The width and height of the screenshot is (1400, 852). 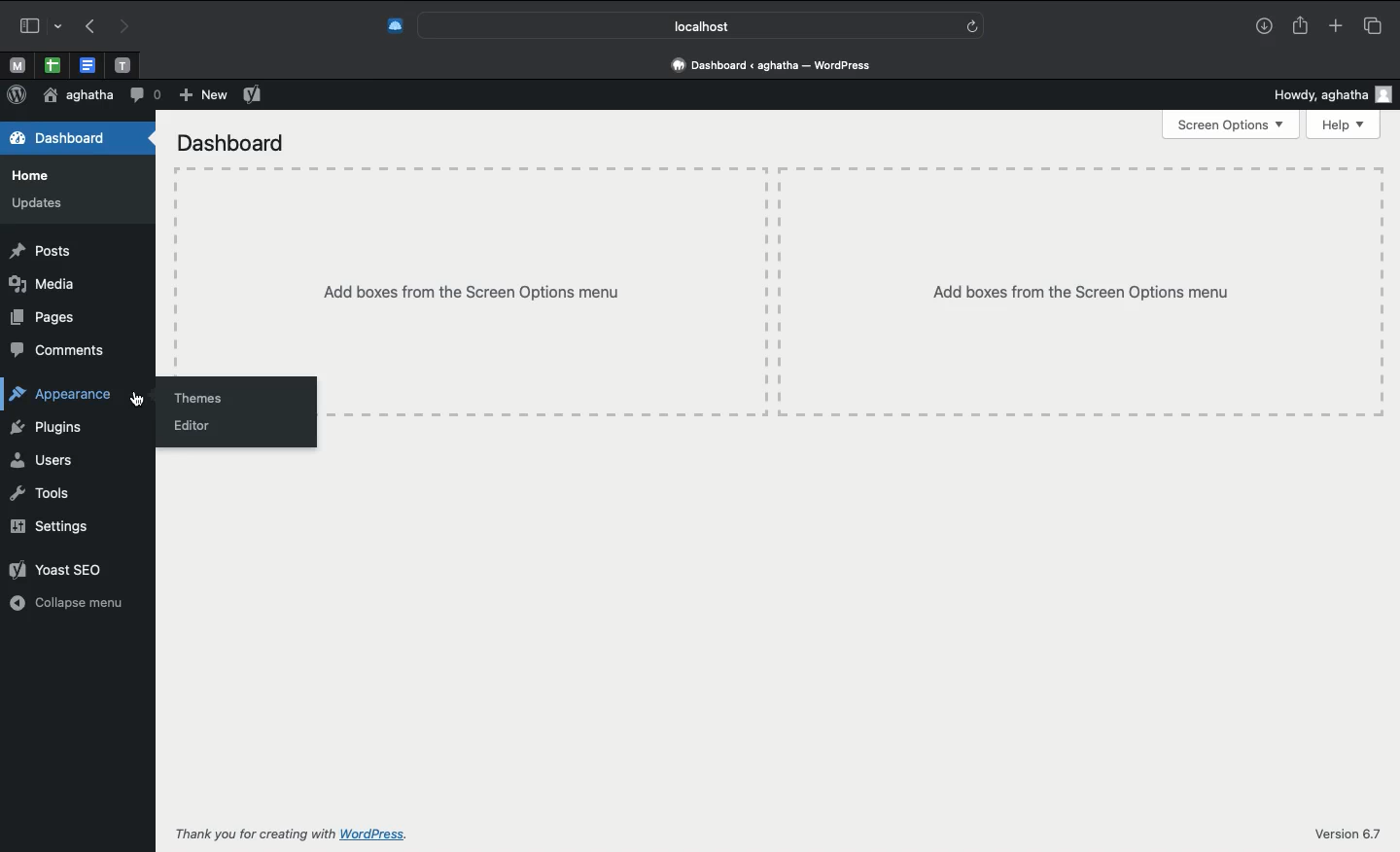 I want to click on Downlaods, so click(x=1264, y=28).